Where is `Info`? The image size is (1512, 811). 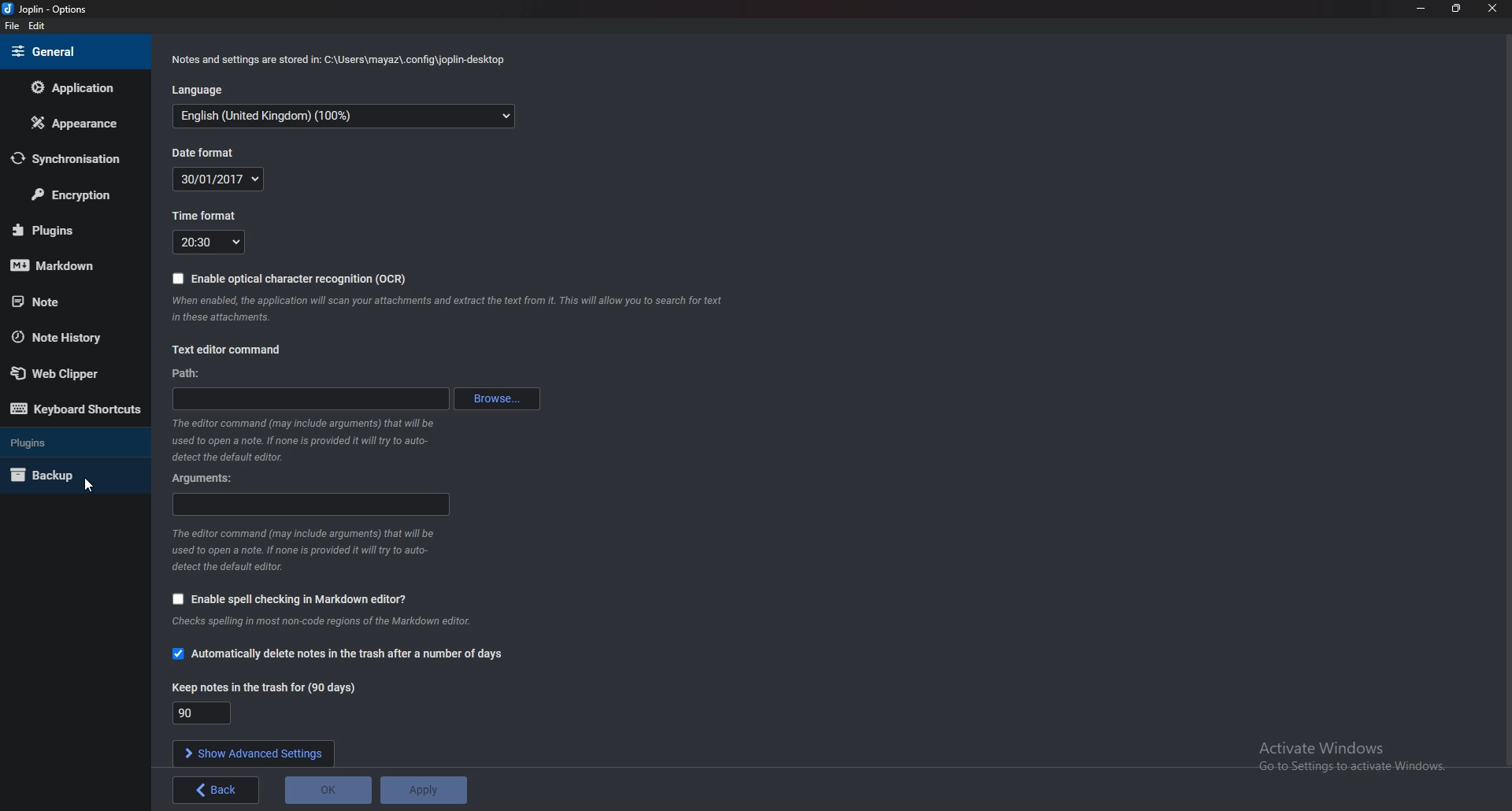 Info is located at coordinates (302, 440).